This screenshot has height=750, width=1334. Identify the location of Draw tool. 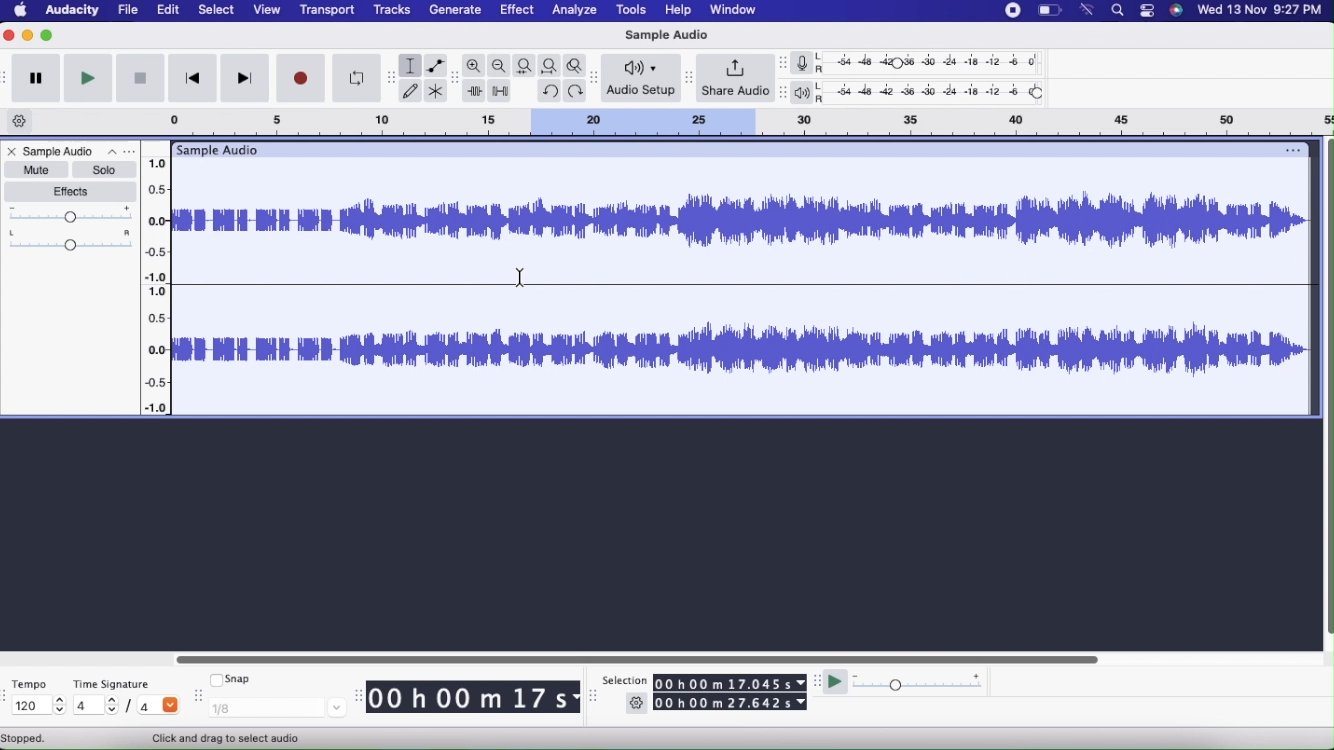
(410, 90).